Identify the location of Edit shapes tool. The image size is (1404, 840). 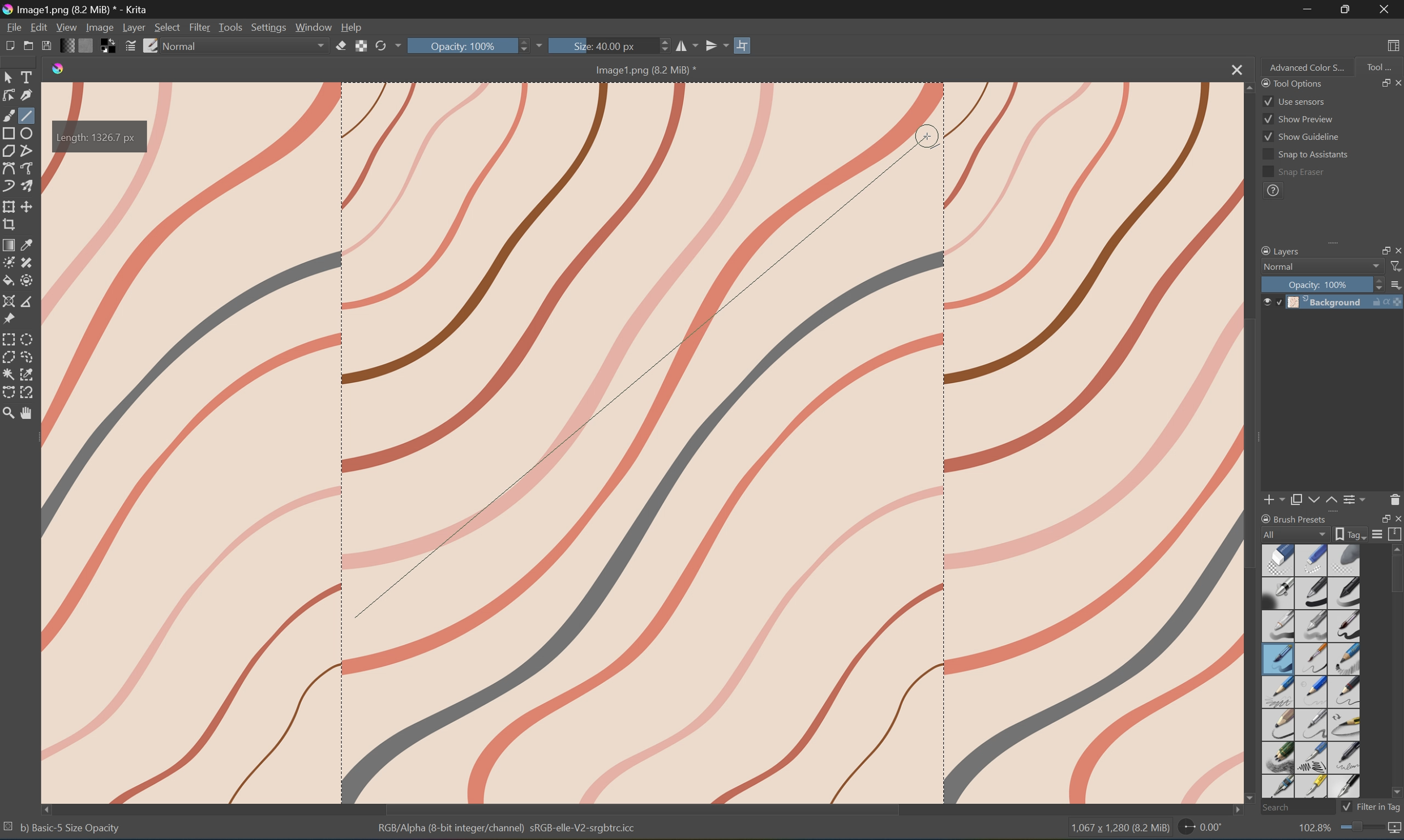
(9, 96).